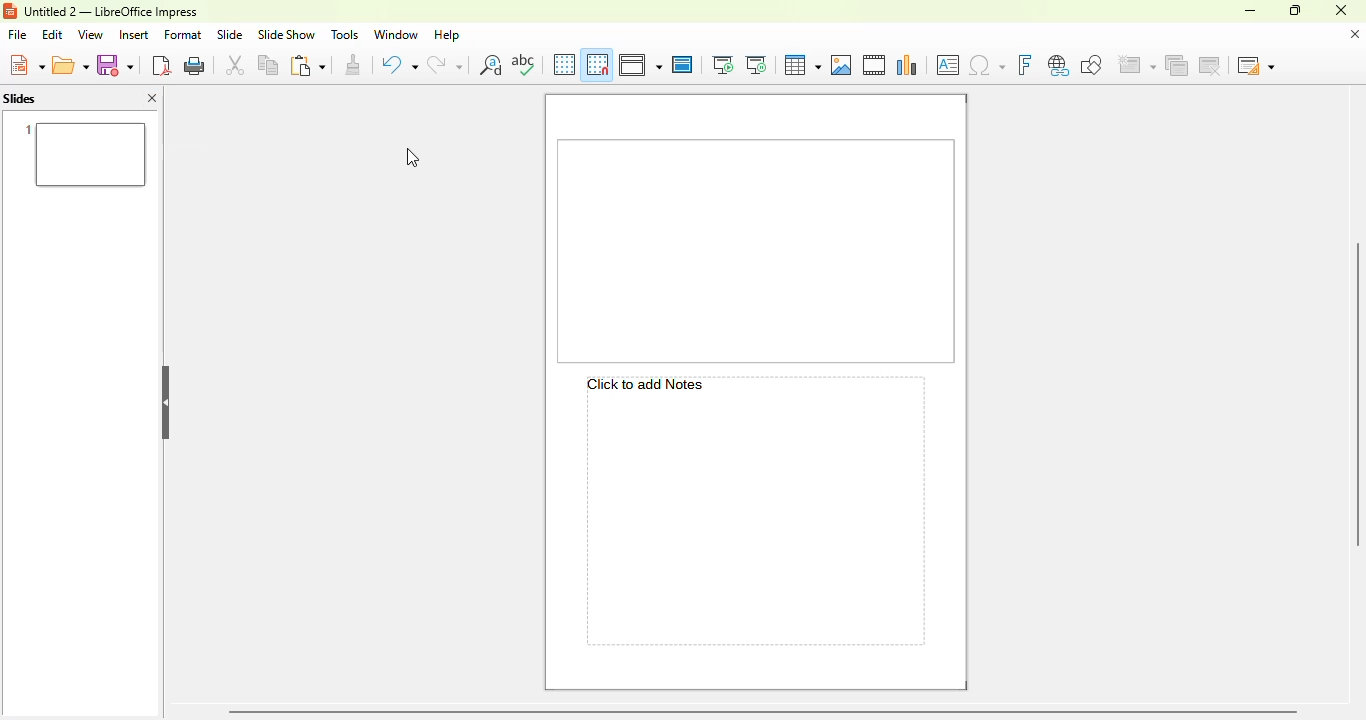 The image size is (1366, 720). What do you see at coordinates (447, 35) in the screenshot?
I see `help` at bounding box center [447, 35].